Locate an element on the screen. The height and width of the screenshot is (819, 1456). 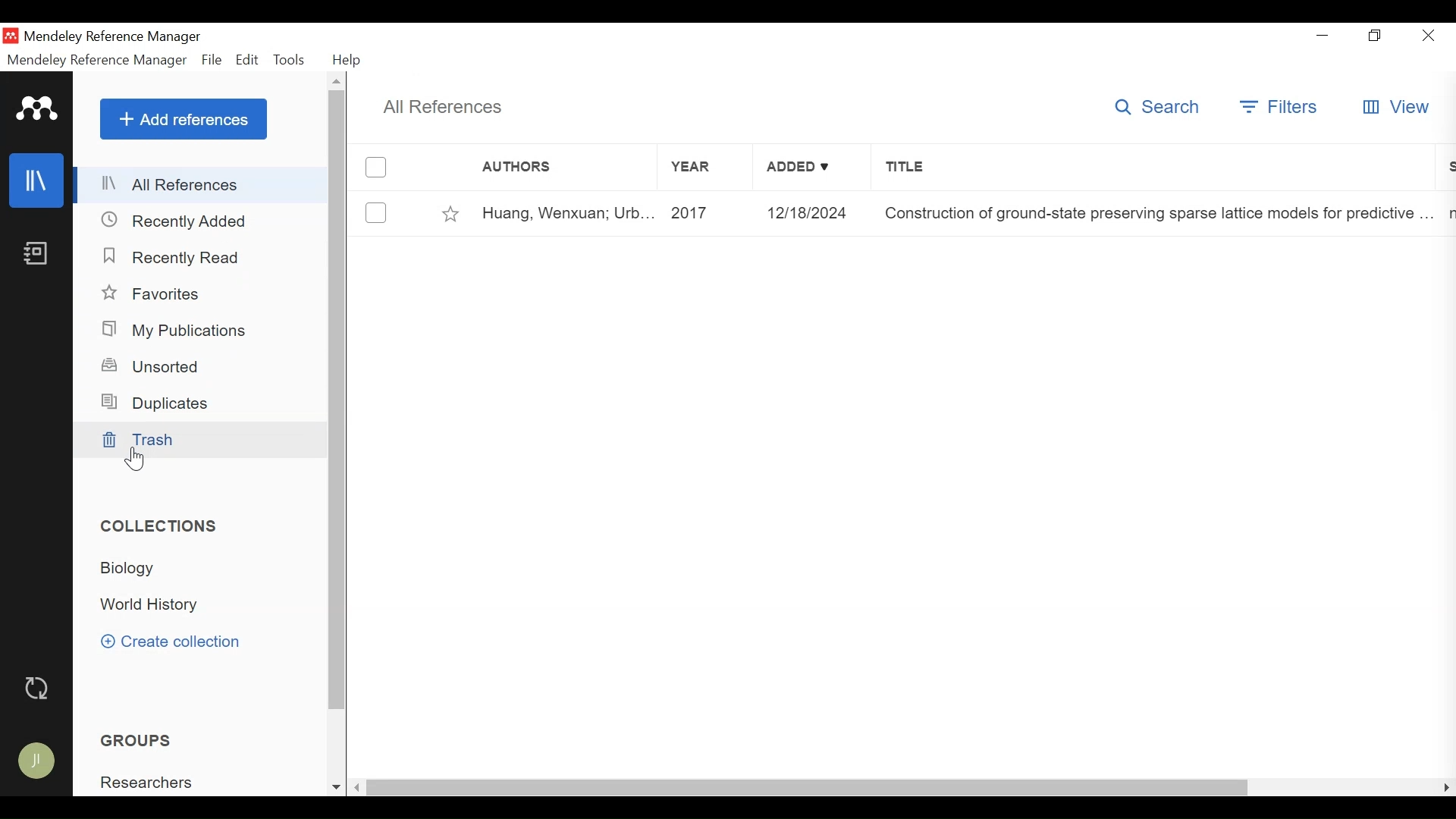
Close is located at coordinates (1429, 36).